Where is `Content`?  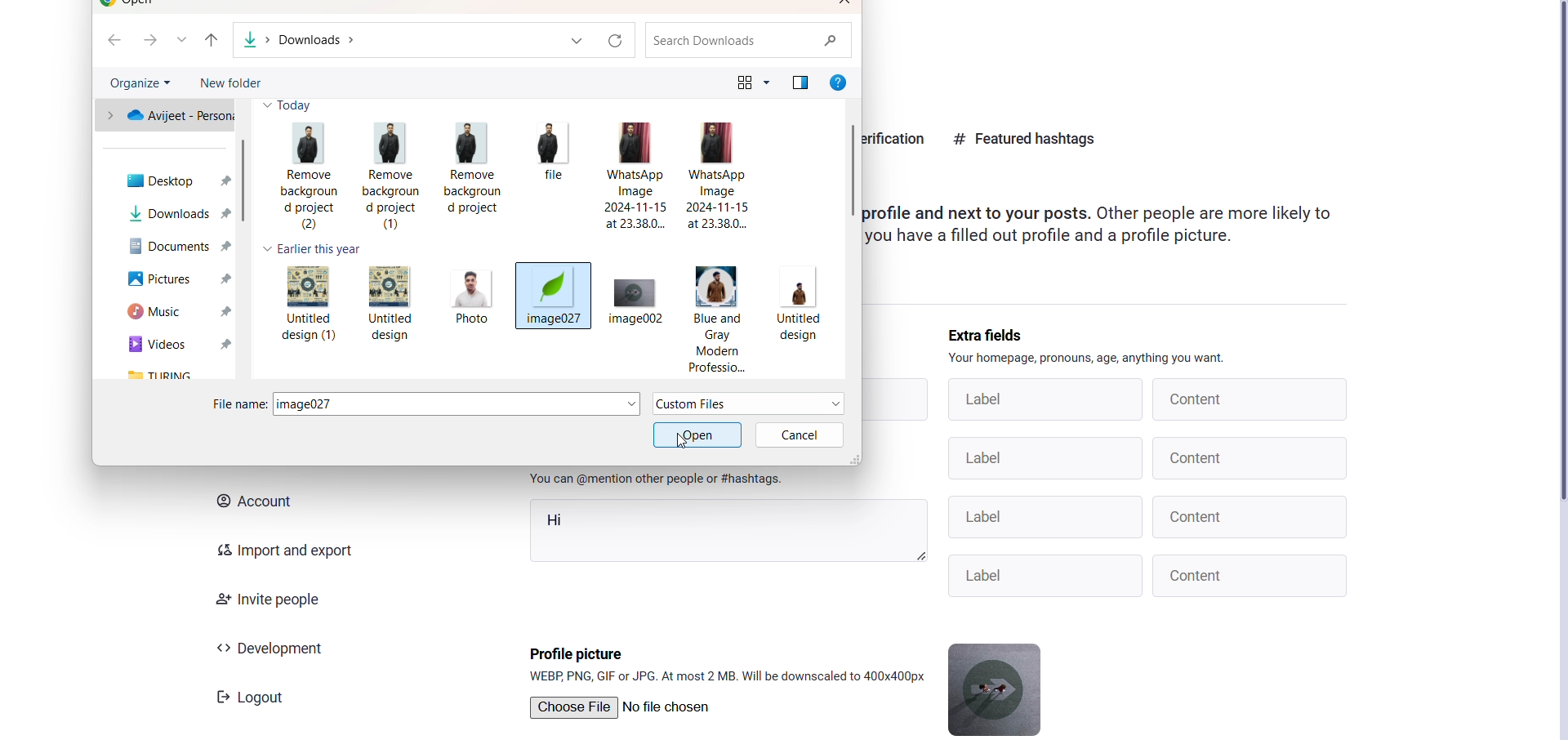
Content is located at coordinates (1252, 516).